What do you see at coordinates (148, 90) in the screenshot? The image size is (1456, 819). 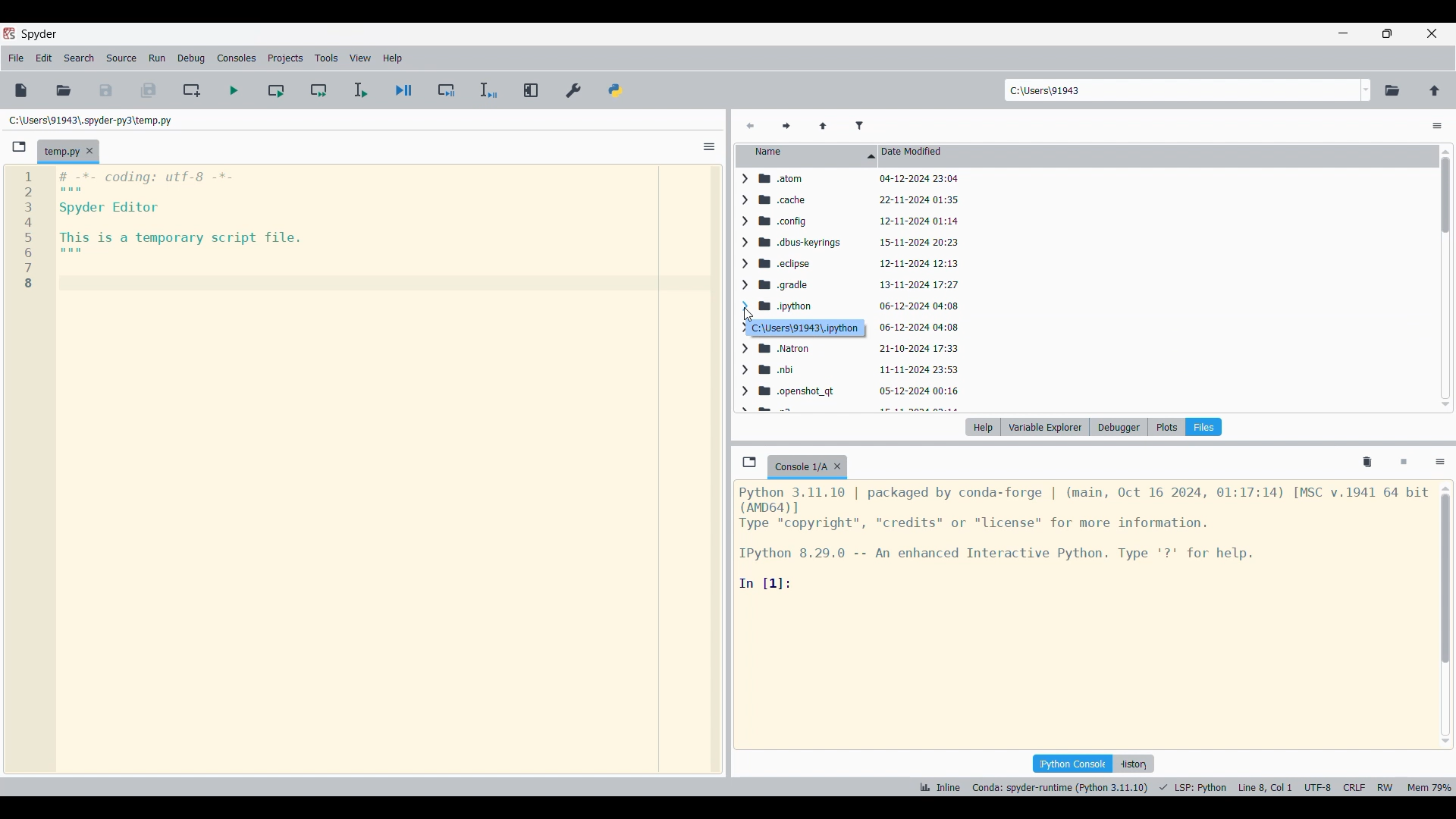 I see `Save all files` at bounding box center [148, 90].